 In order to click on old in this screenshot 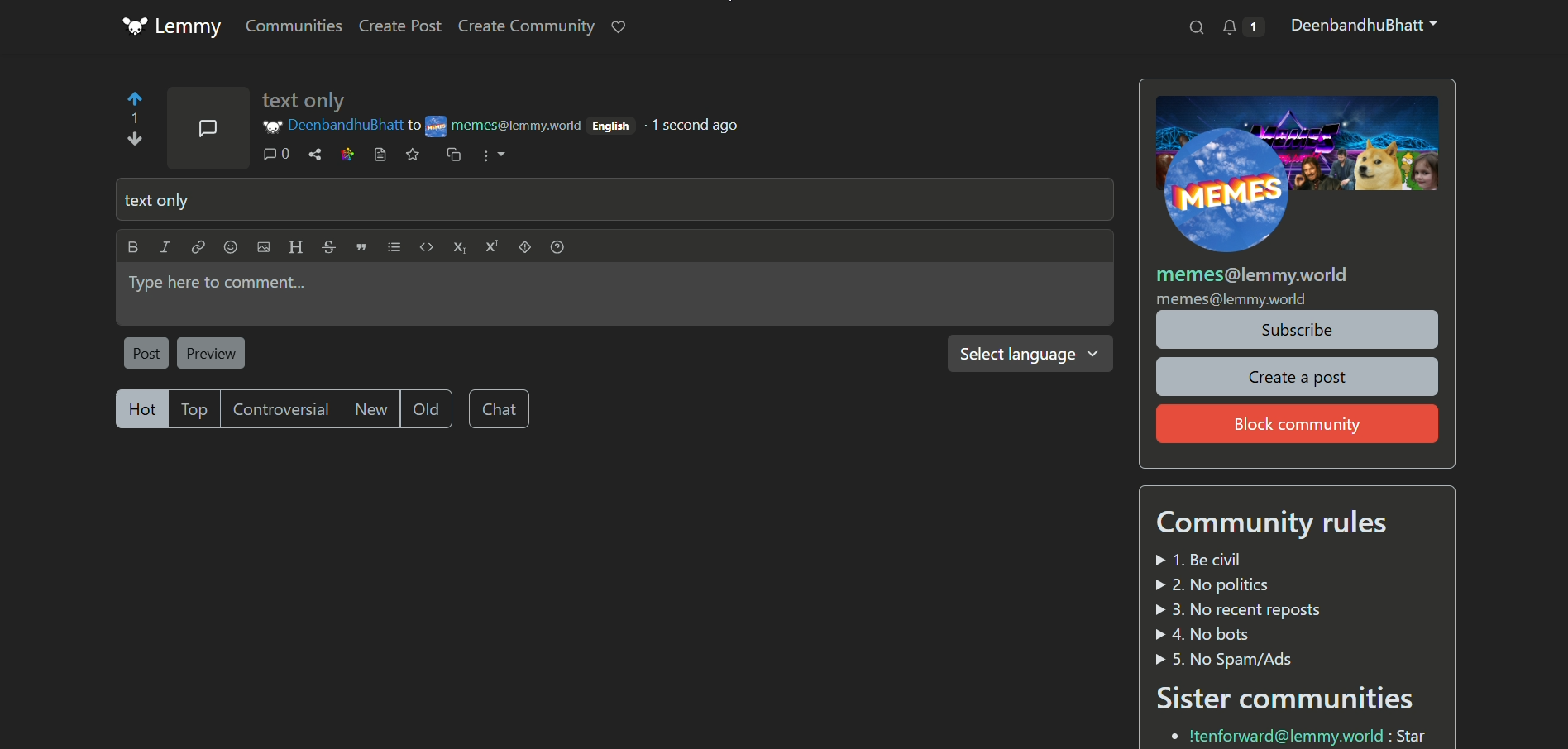, I will do `click(426, 409)`.